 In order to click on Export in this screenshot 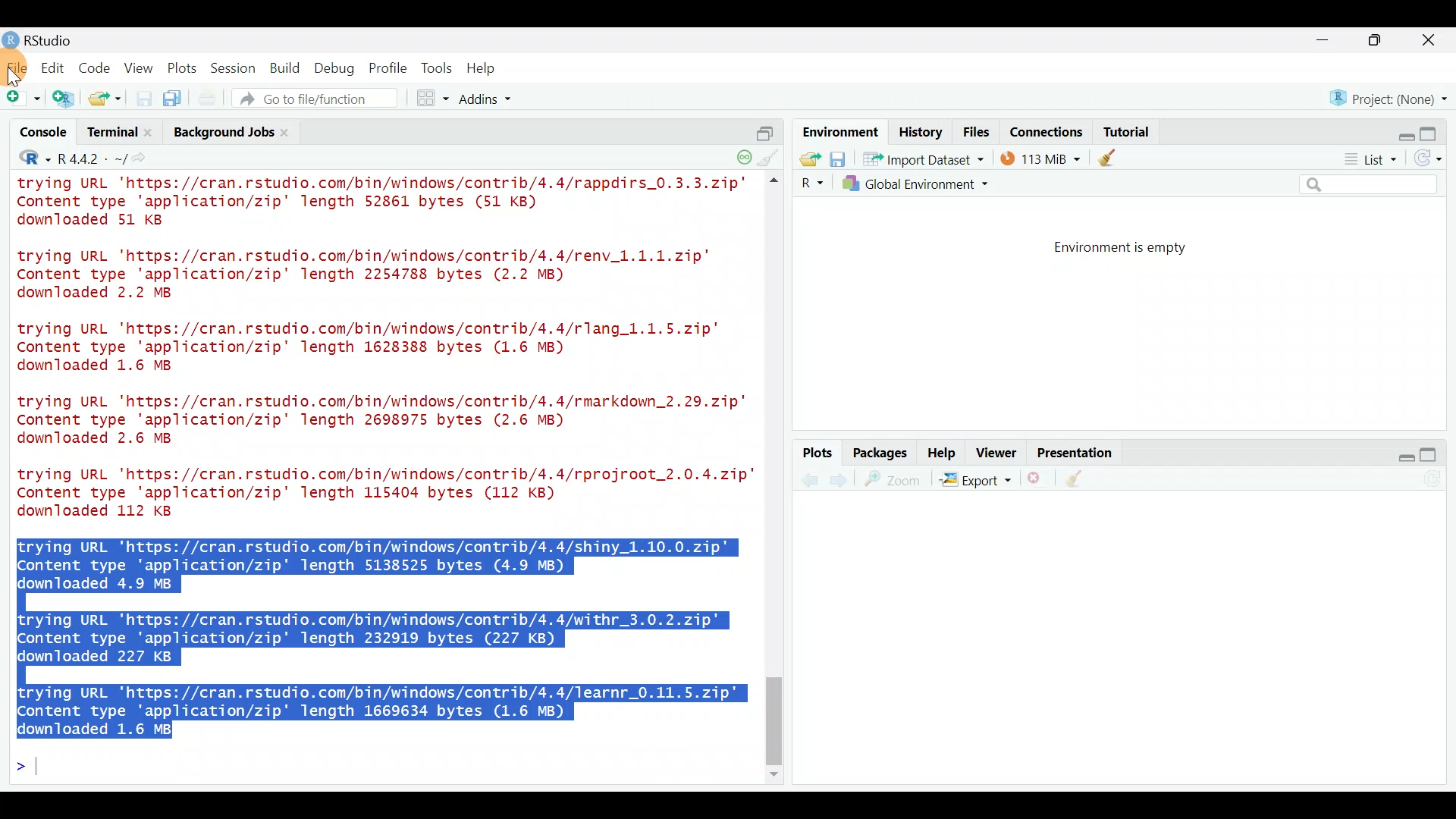, I will do `click(975, 482)`.